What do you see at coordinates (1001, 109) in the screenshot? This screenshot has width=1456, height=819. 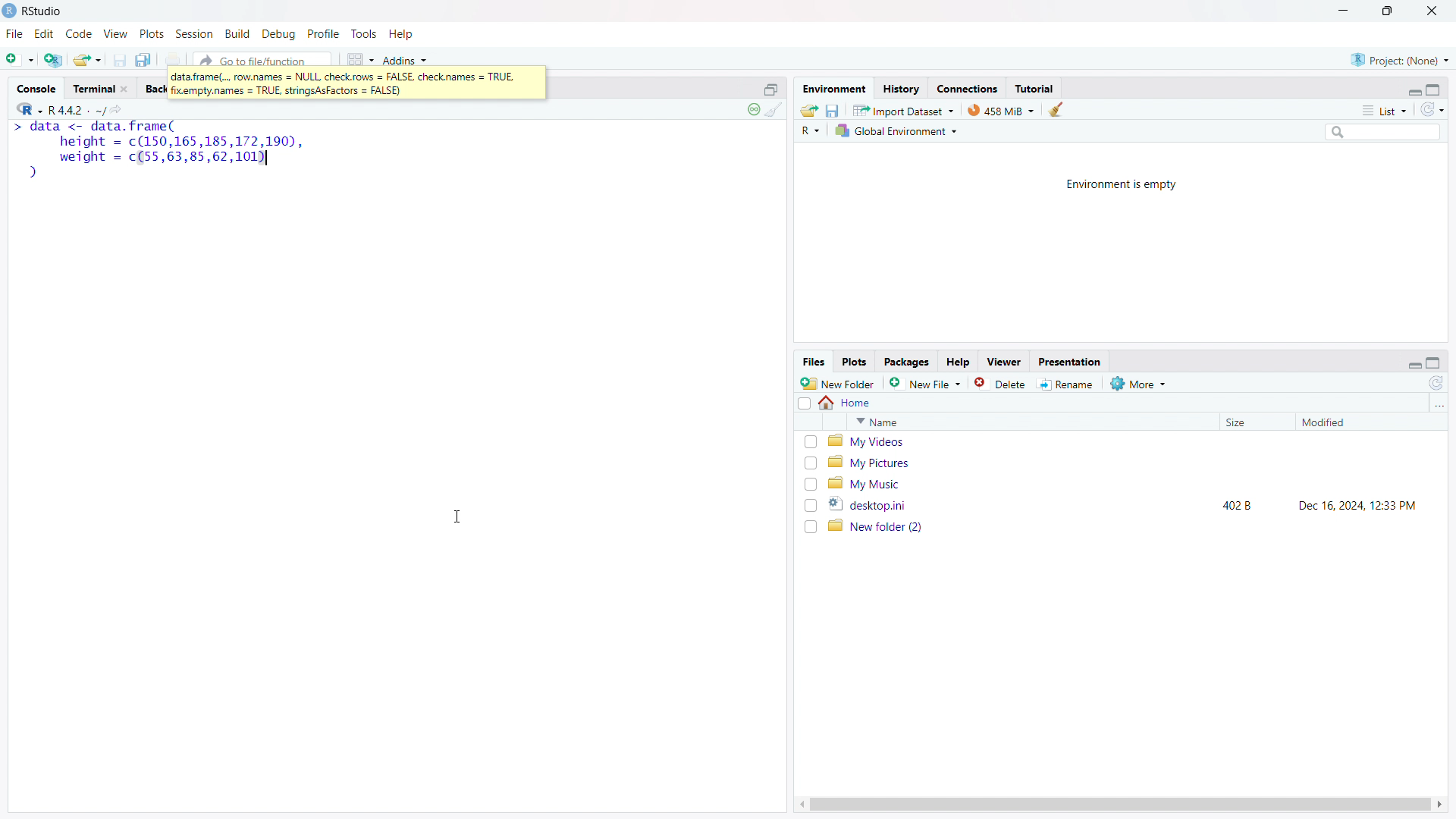 I see `memory used by R session` at bounding box center [1001, 109].